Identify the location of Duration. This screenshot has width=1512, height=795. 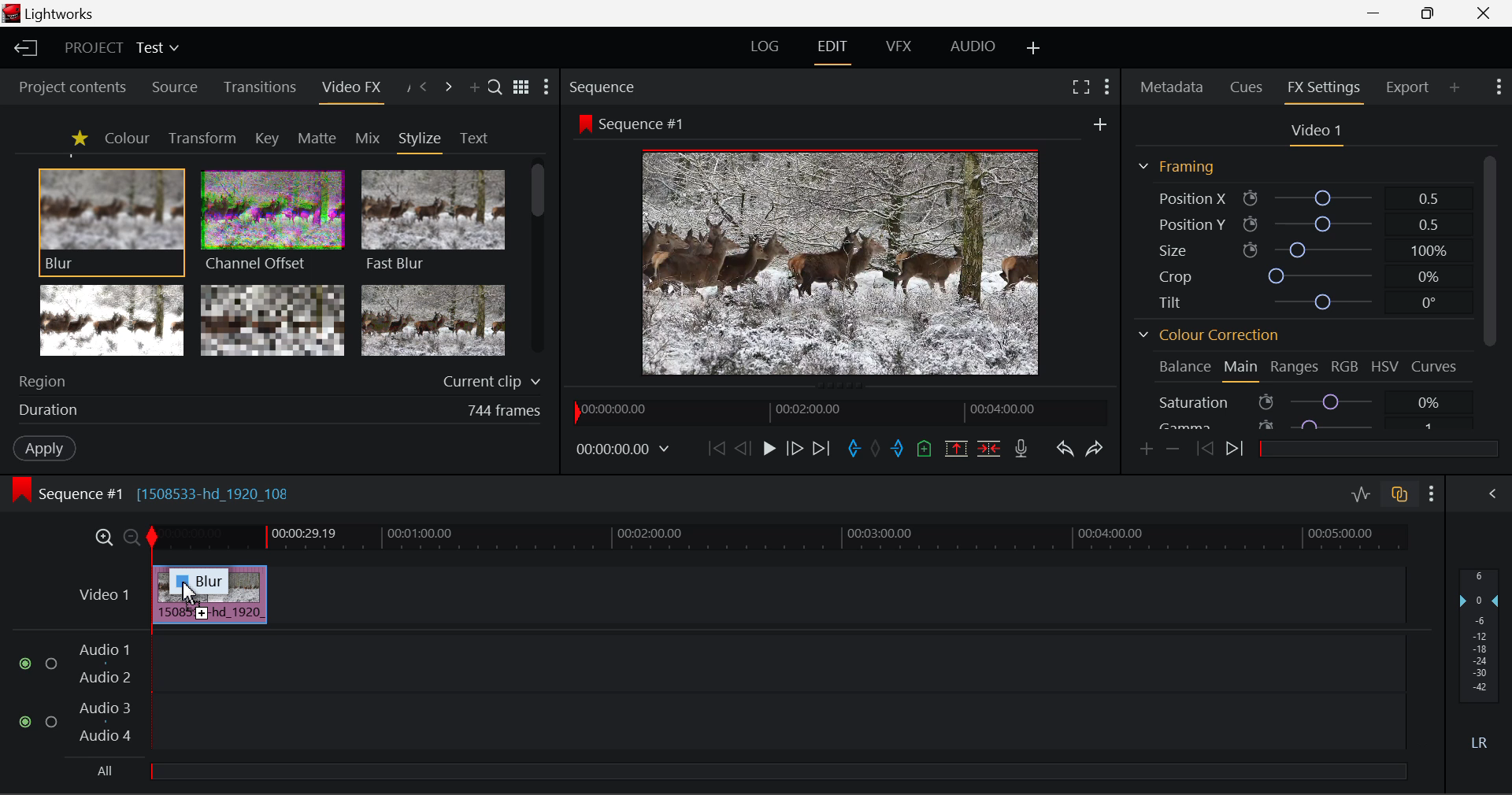
(276, 412).